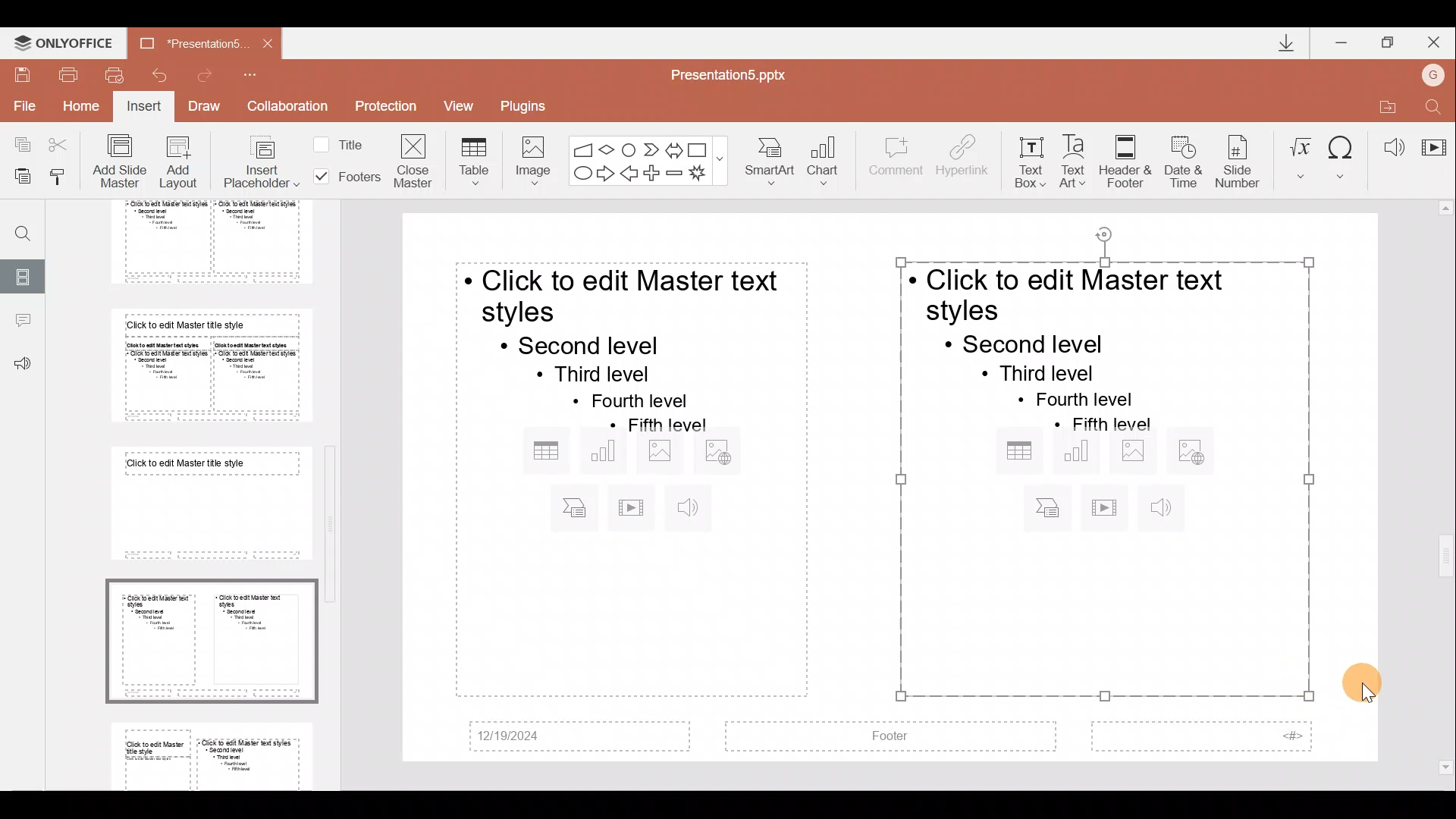 This screenshot has height=819, width=1456. What do you see at coordinates (22, 178) in the screenshot?
I see `Paste` at bounding box center [22, 178].